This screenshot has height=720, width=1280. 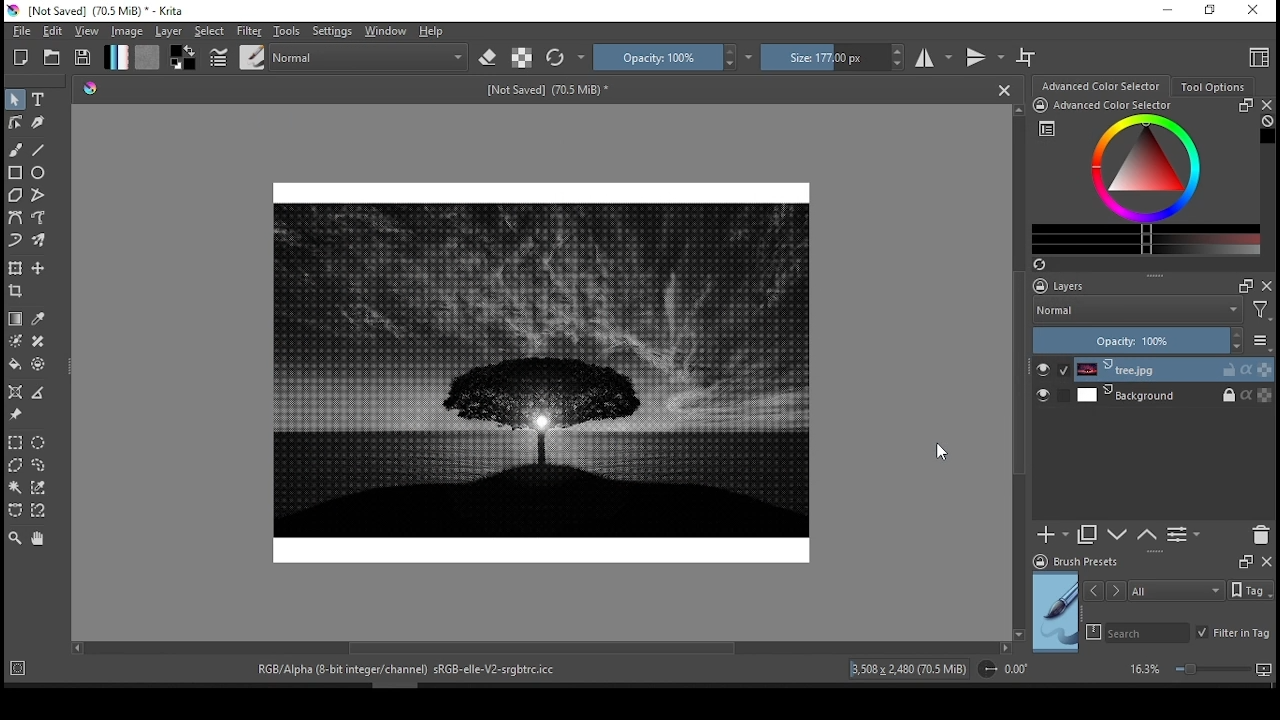 I want to click on opacity, so click(x=666, y=58).